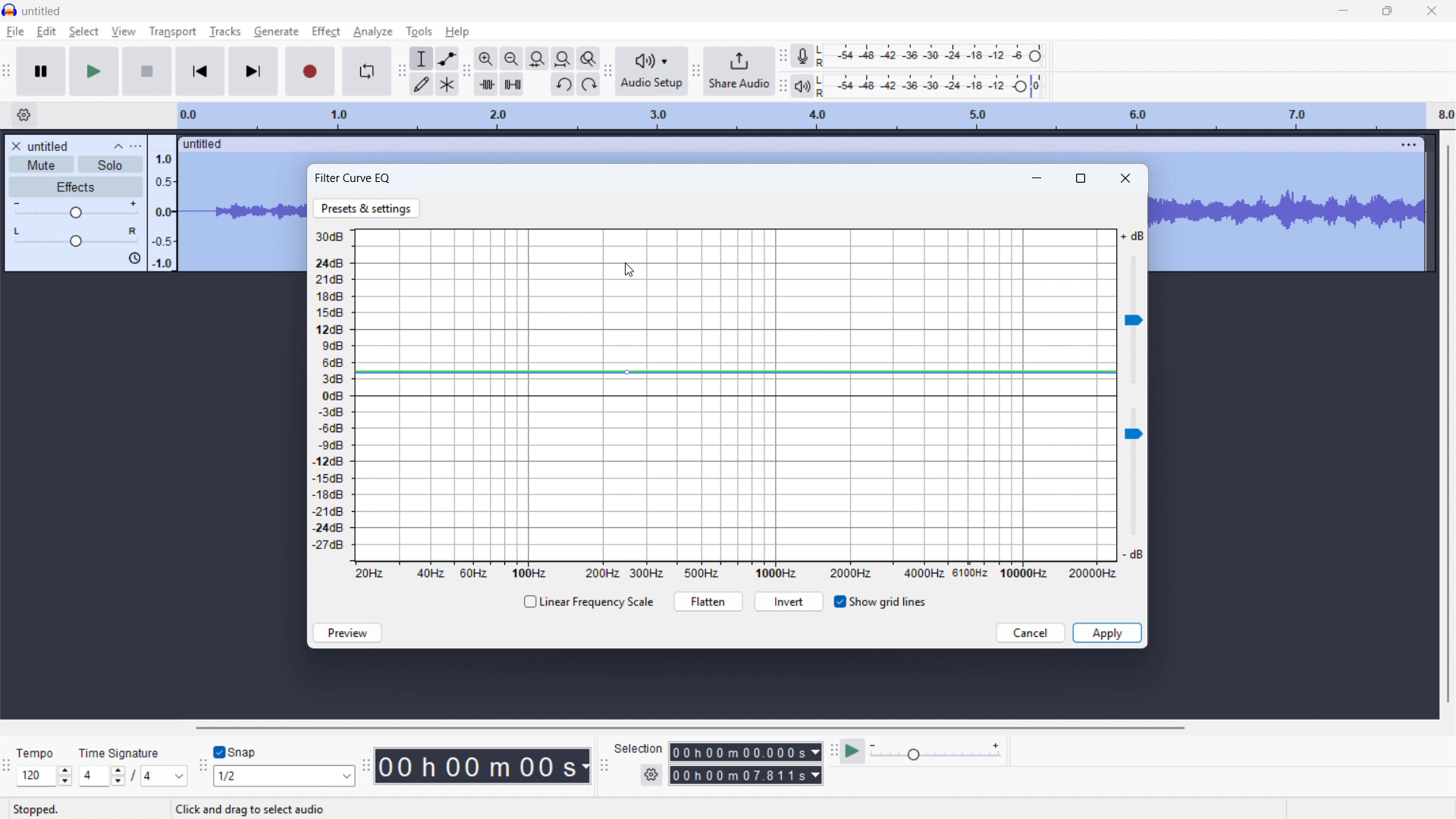 Image resolution: width=1456 pixels, height=819 pixels. Describe the element at coordinates (24, 115) in the screenshot. I see `timeline settings` at that location.